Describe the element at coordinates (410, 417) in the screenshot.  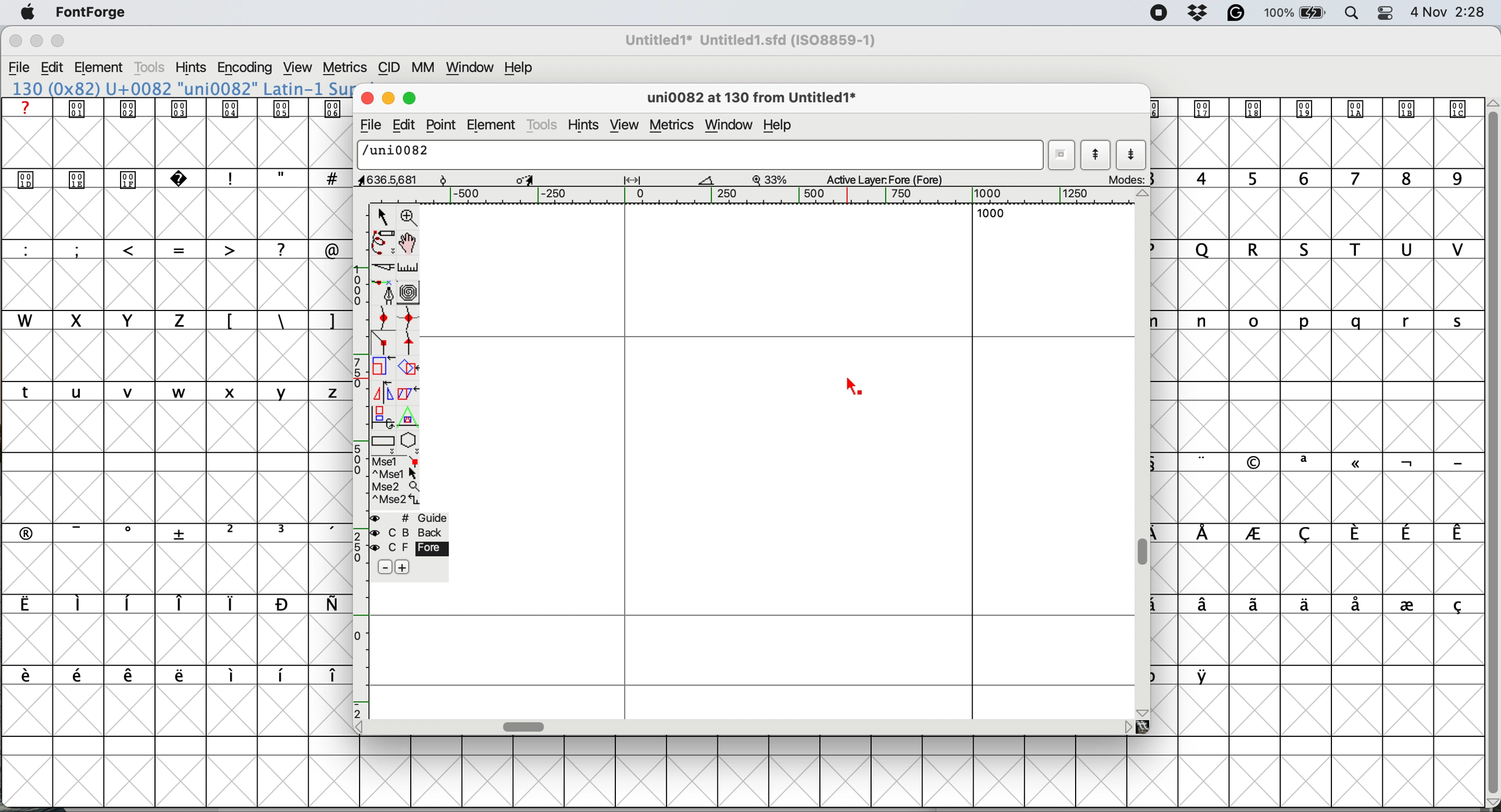
I see `perform a perspective transformation on screen` at that location.